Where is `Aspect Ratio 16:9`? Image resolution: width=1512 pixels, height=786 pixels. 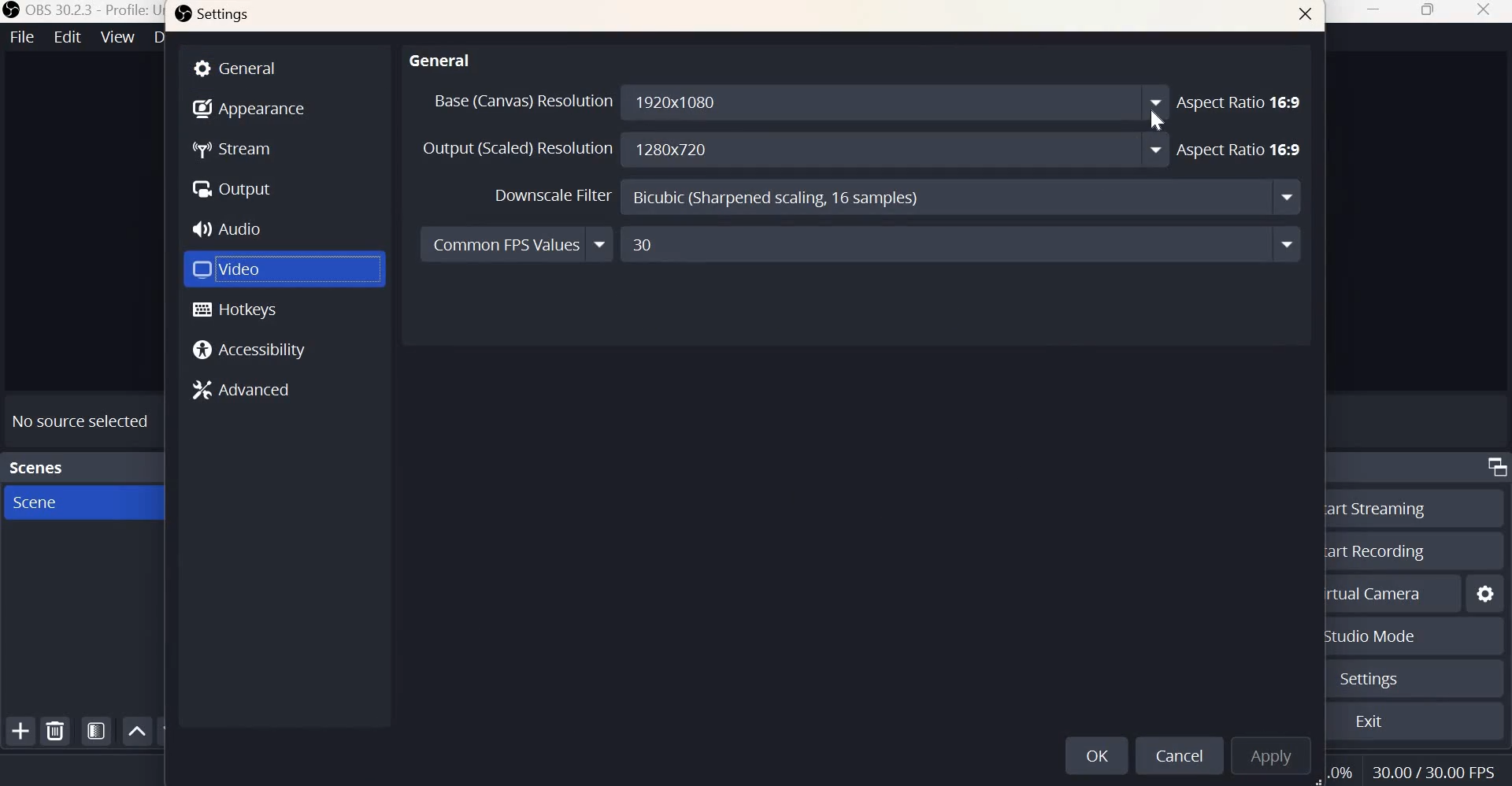
Aspect Ratio 16:9 is located at coordinates (1240, 150).